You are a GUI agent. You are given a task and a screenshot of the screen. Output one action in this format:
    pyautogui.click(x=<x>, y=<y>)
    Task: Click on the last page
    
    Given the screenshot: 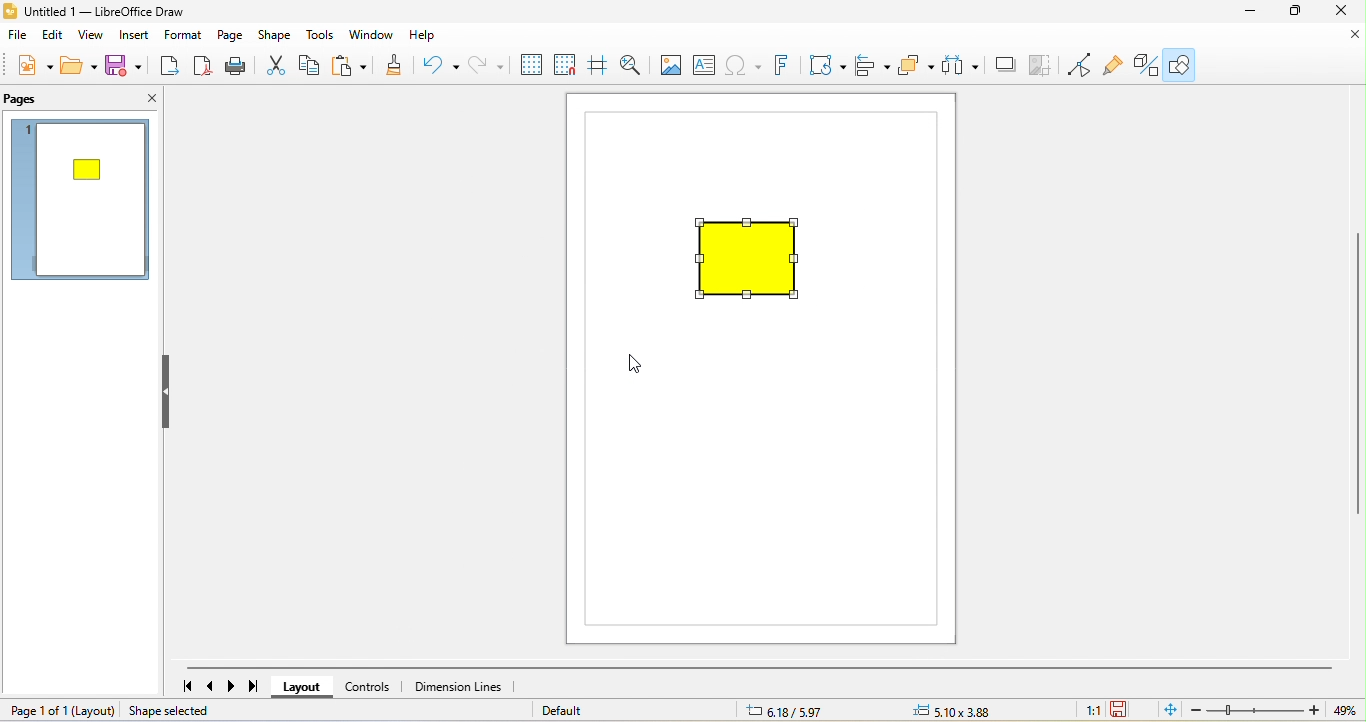 What is the action you would take?
    pyautogui.click(x=258, y=687)
    